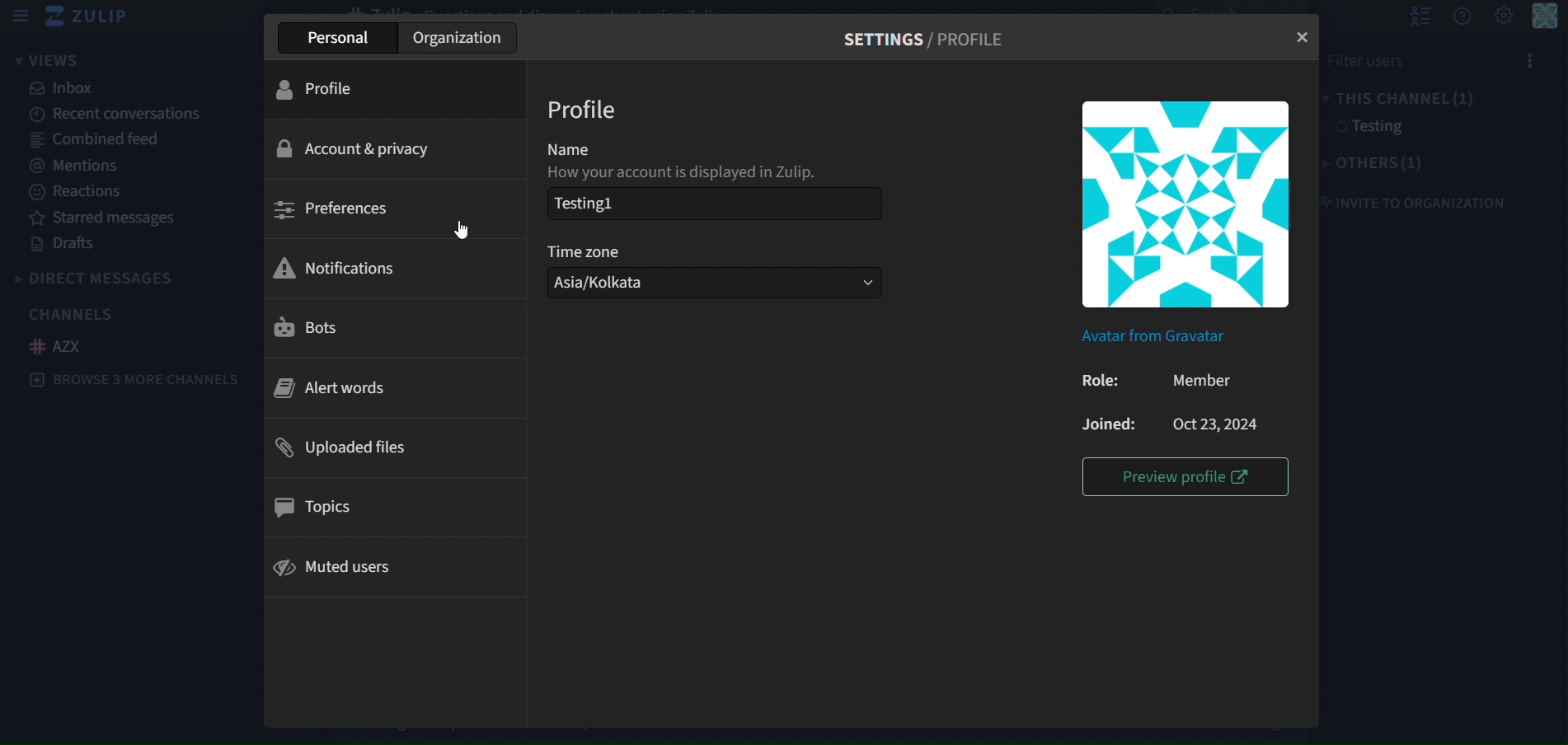 This screenshot has width=1568, height=745. I want to click on AZX, so click(55, 345).